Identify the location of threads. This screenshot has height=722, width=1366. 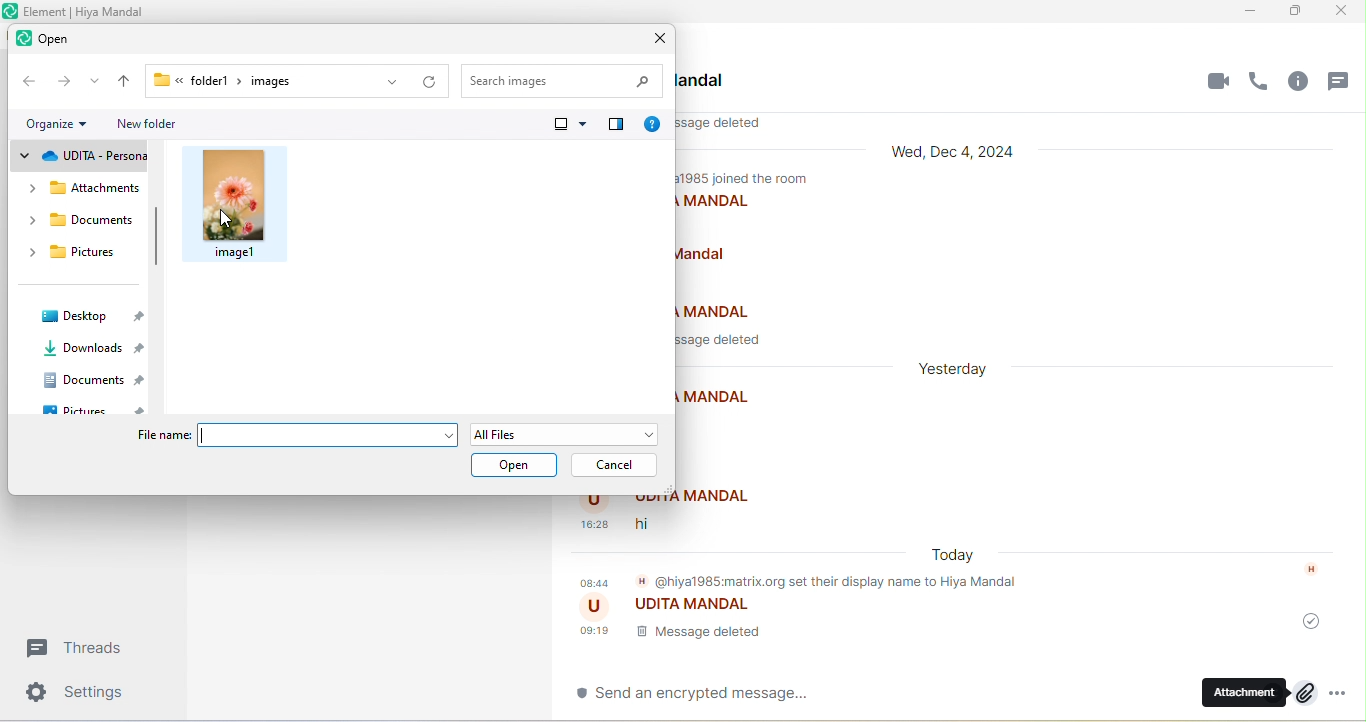
(85, 647).